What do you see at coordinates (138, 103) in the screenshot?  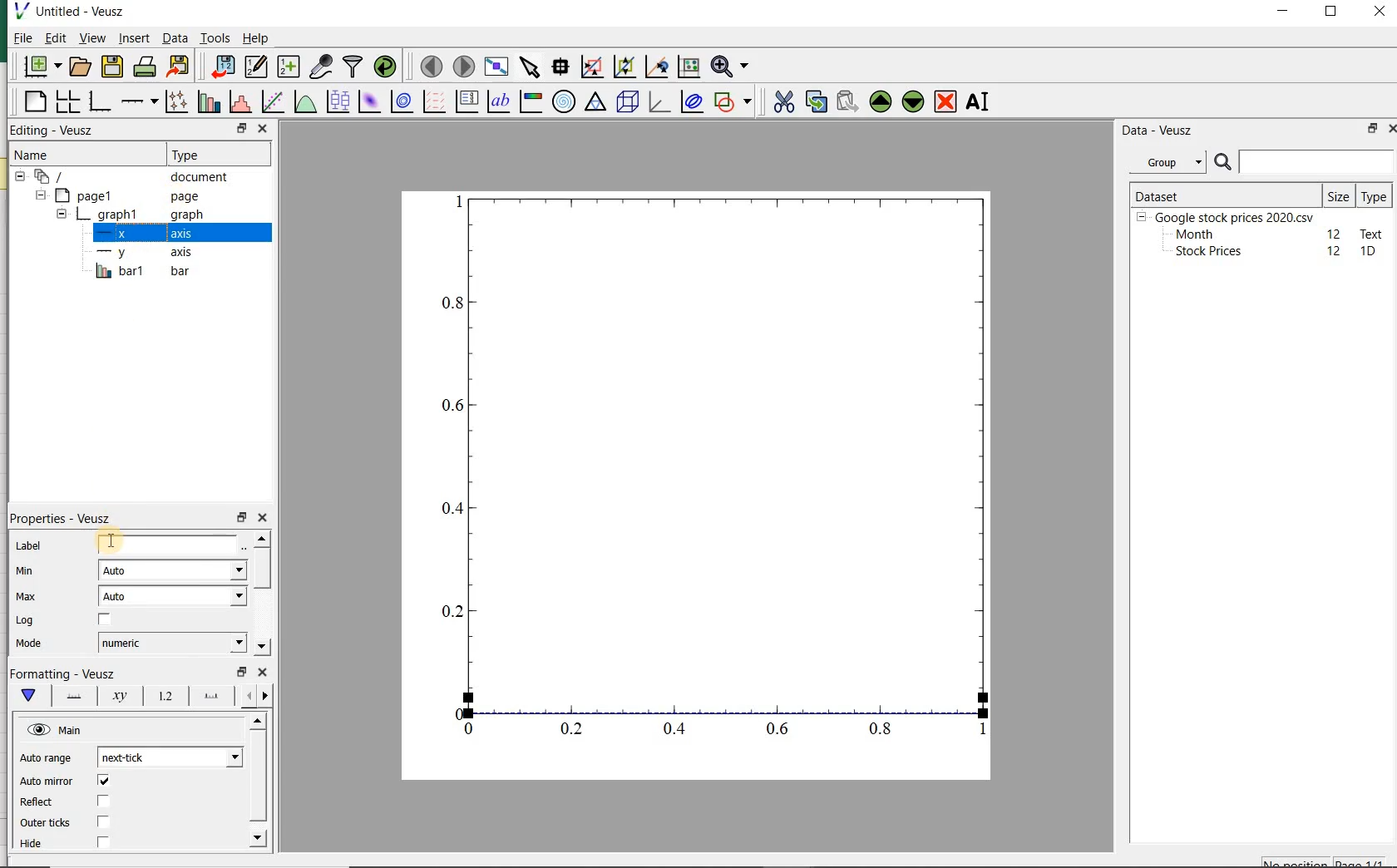 I see `add an axis to the plot` at bounding box center [138, 103].